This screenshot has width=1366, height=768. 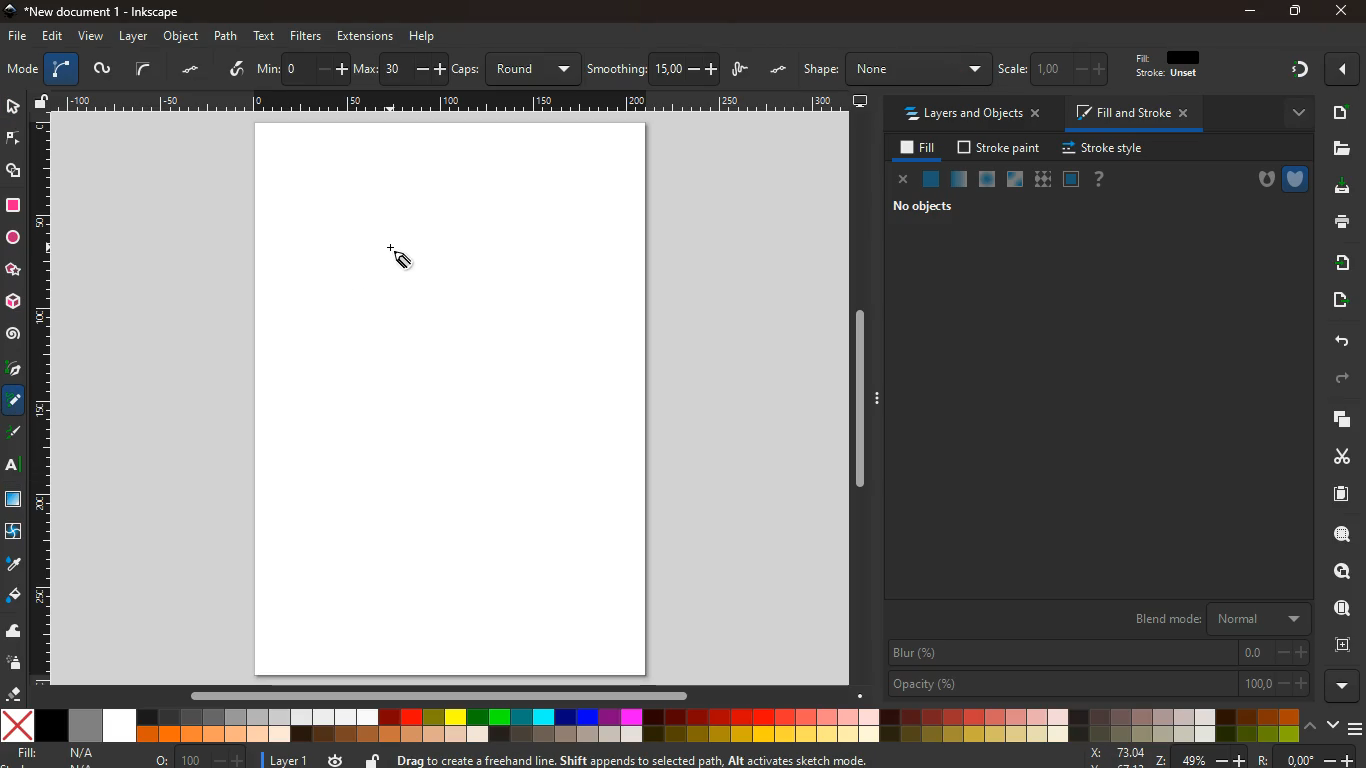 What do you see at coordinates (306, 36) in the screenshot?
I see `filters` at bounding box center [306, 36].